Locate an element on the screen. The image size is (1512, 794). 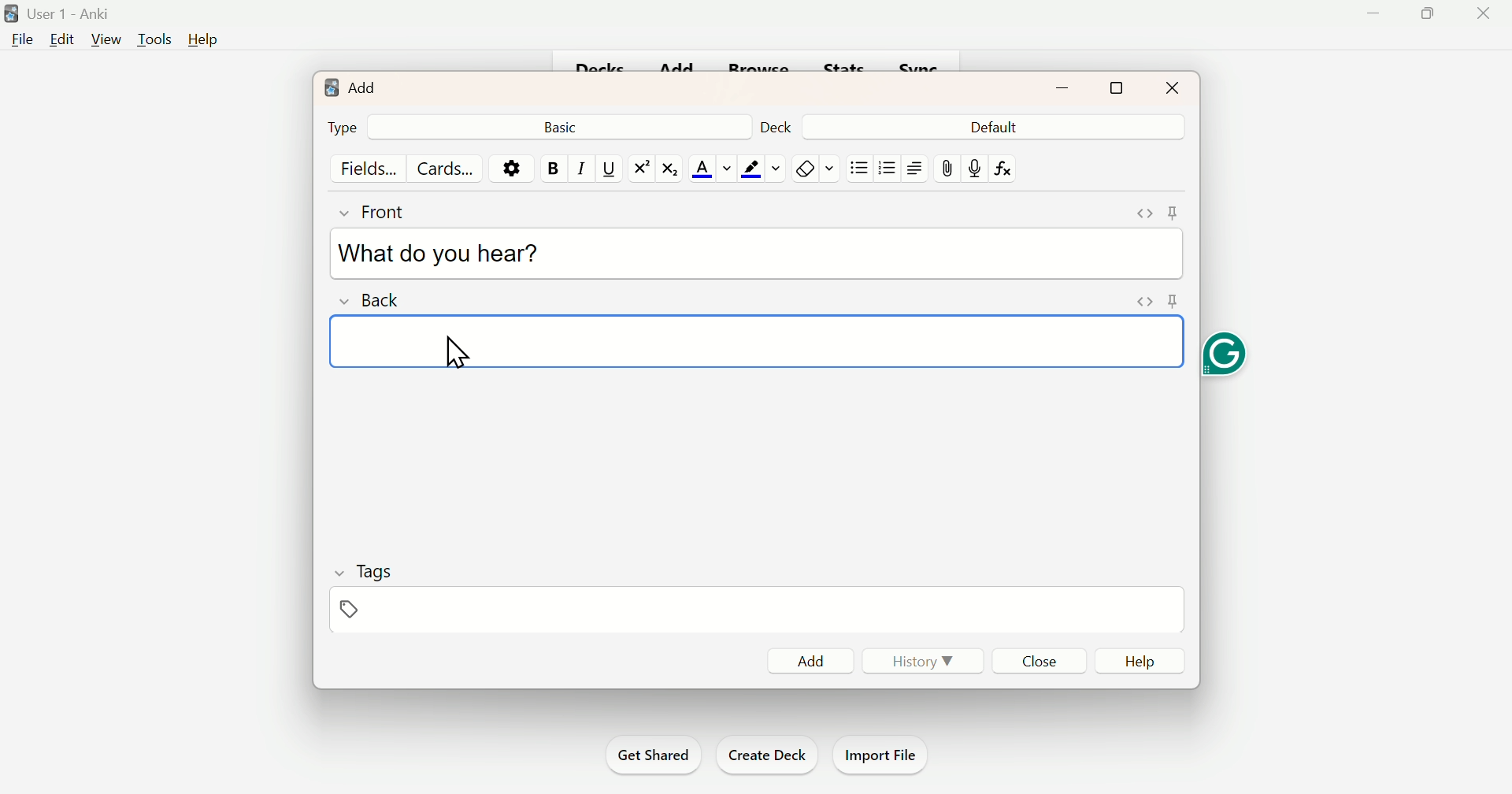
maximize is located at coordinates (1115, 89).